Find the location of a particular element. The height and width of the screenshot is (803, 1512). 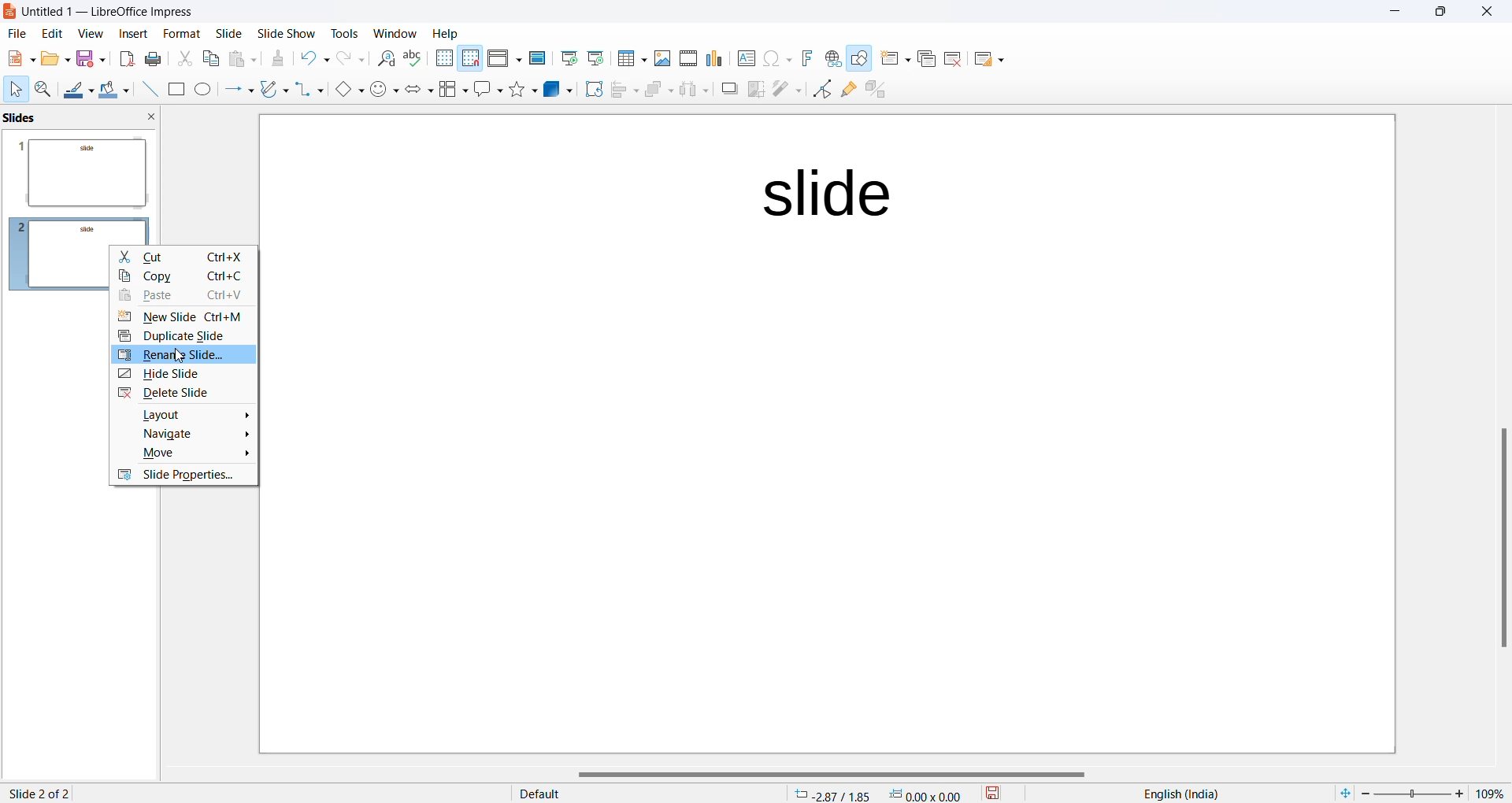

Duplicate slide is located at coordinates (924, 61).